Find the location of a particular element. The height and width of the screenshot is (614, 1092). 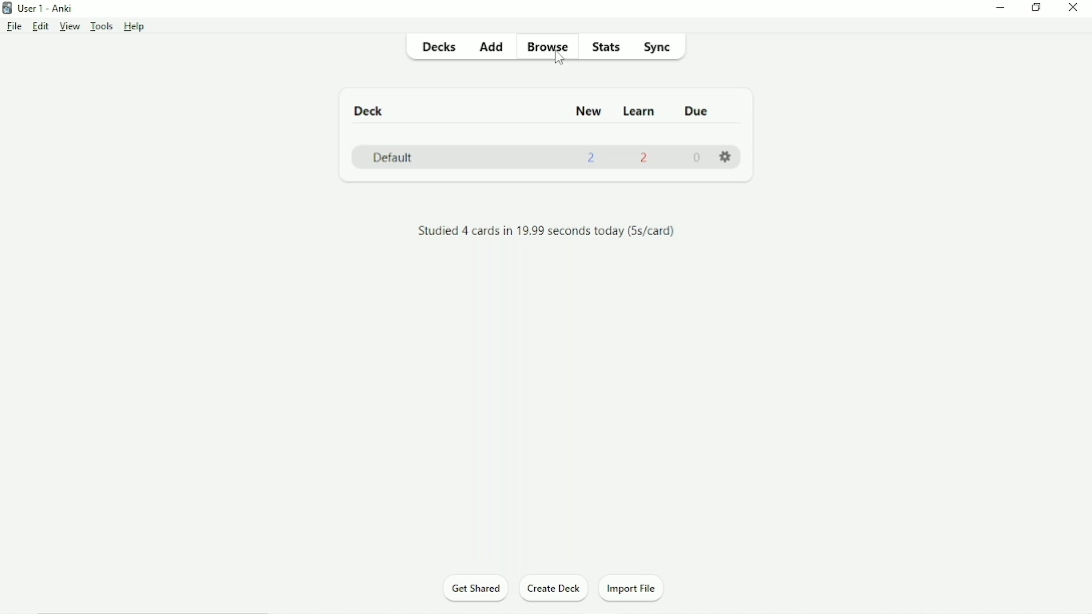

Browse is located at coordinates (549, 48).